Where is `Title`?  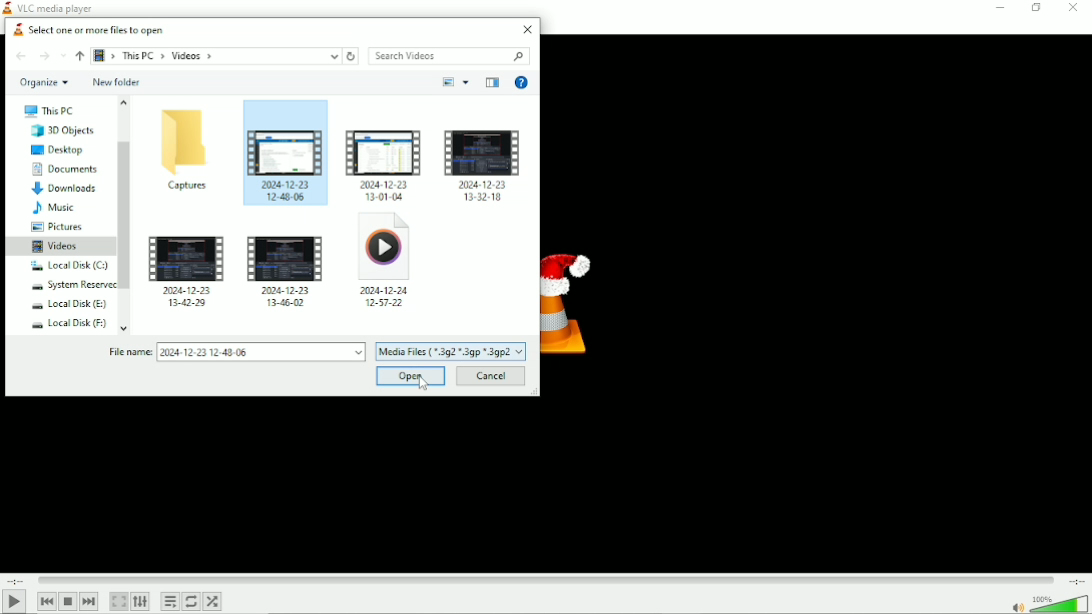 Title is located at coordinates (50, 7).